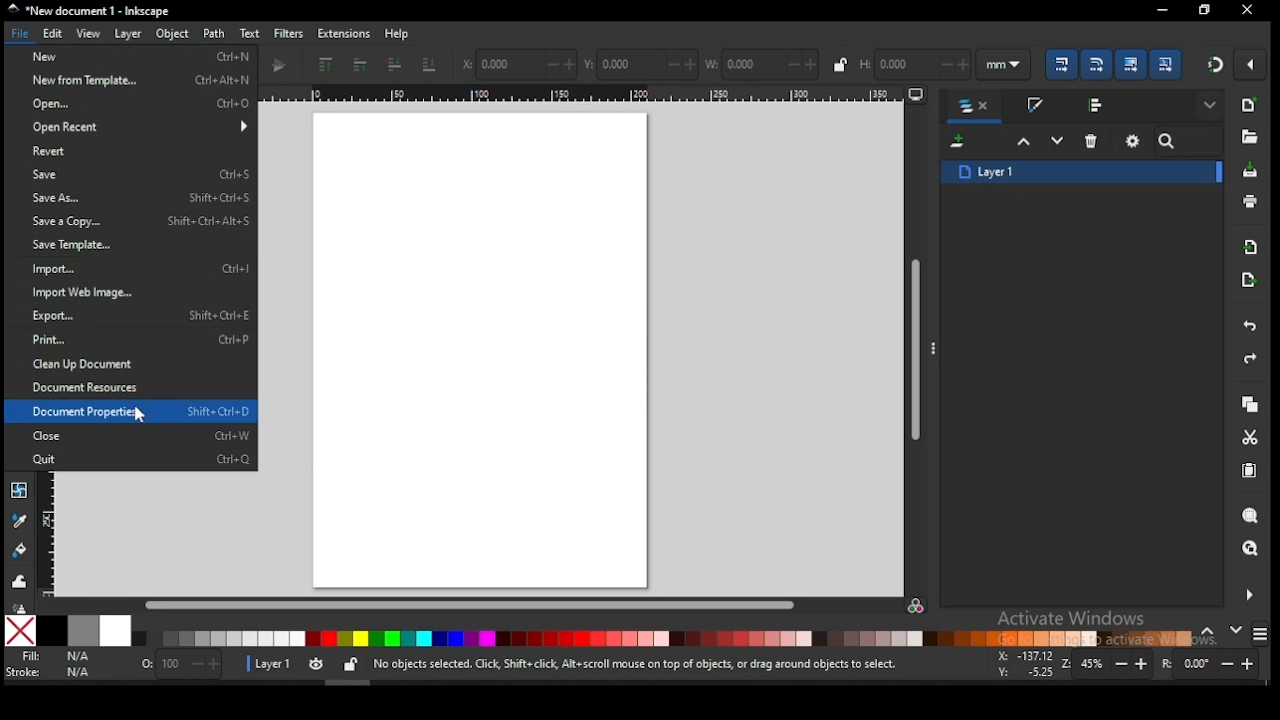 The image size is (1280, 720). I want to click on view, so click(91, 34).